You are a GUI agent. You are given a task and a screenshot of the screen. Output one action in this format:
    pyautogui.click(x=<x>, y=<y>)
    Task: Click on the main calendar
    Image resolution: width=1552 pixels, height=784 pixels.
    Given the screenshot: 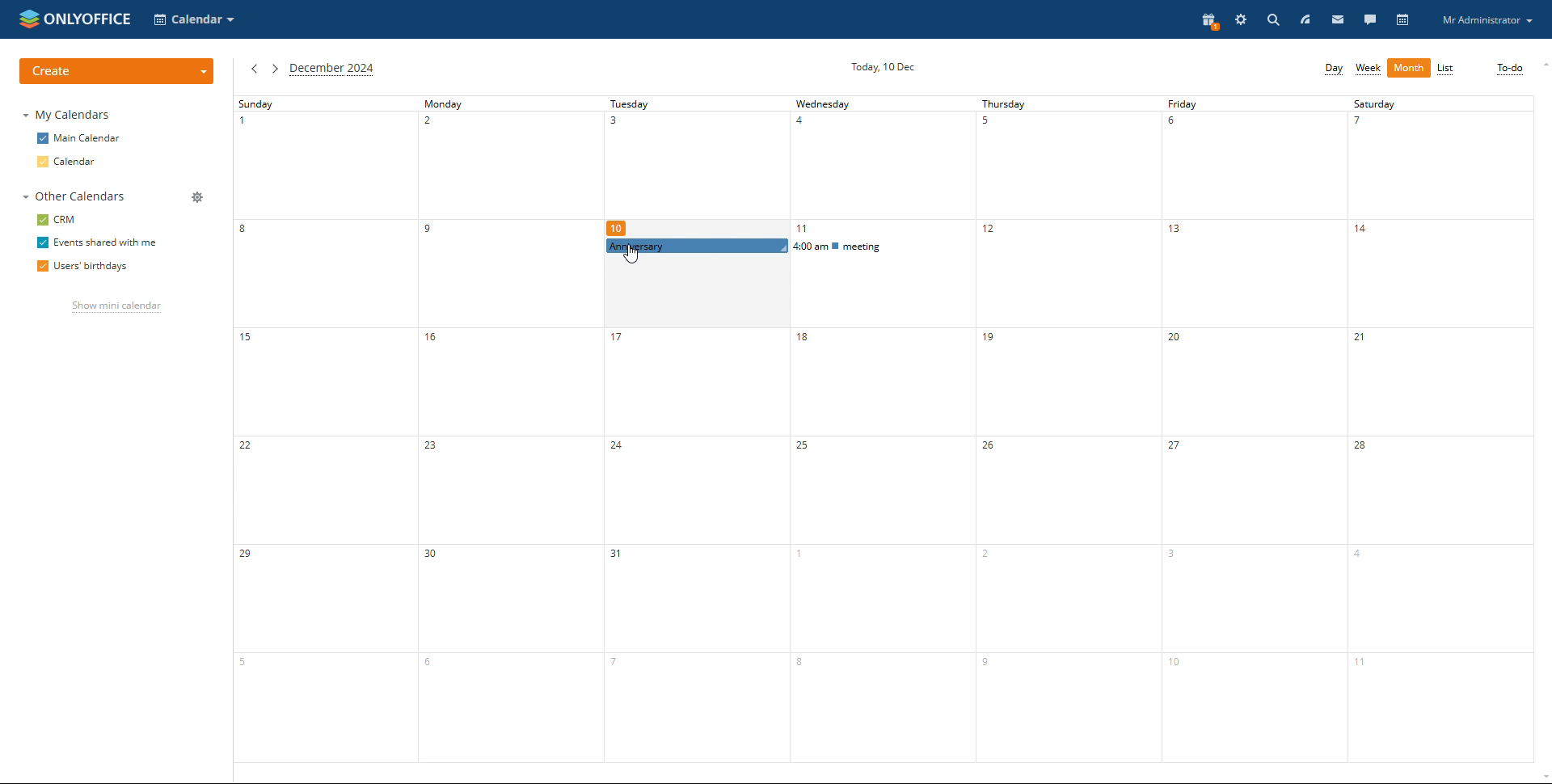 What is the action you would take?
    pyautogui.click(x=78, y=139)
    